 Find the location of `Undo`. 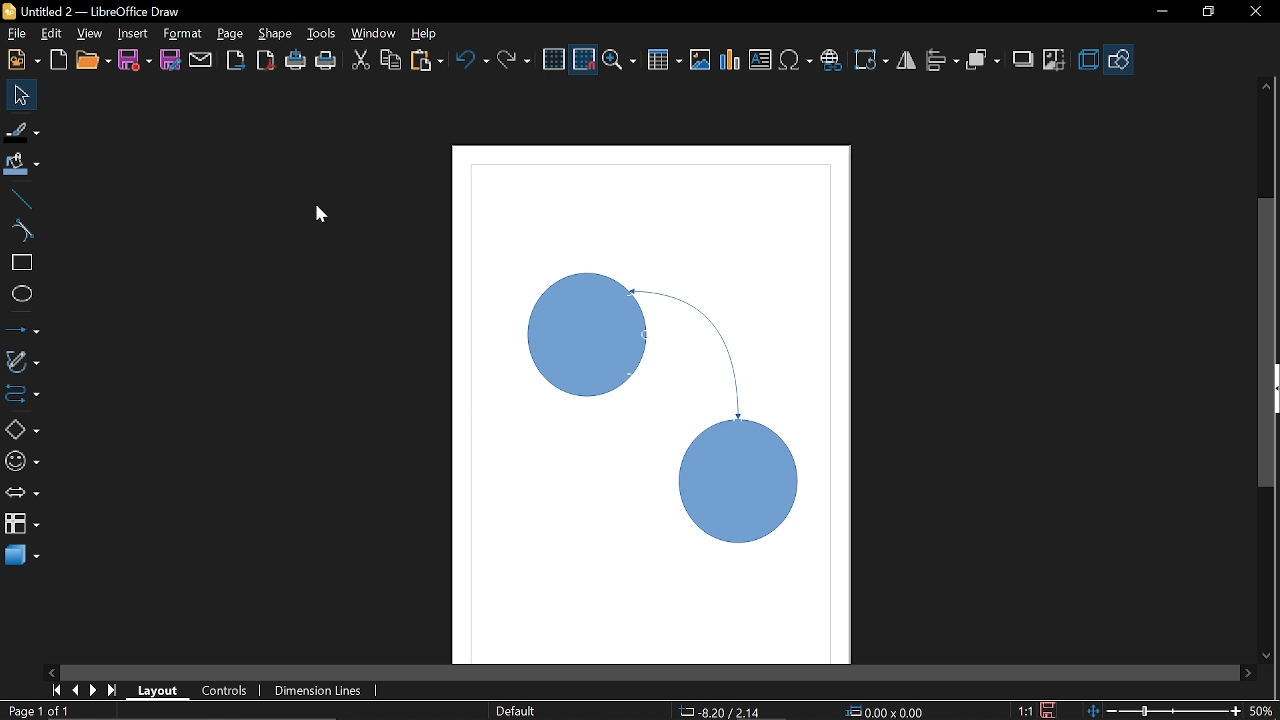

Undo is located at coordinates (472, 59).